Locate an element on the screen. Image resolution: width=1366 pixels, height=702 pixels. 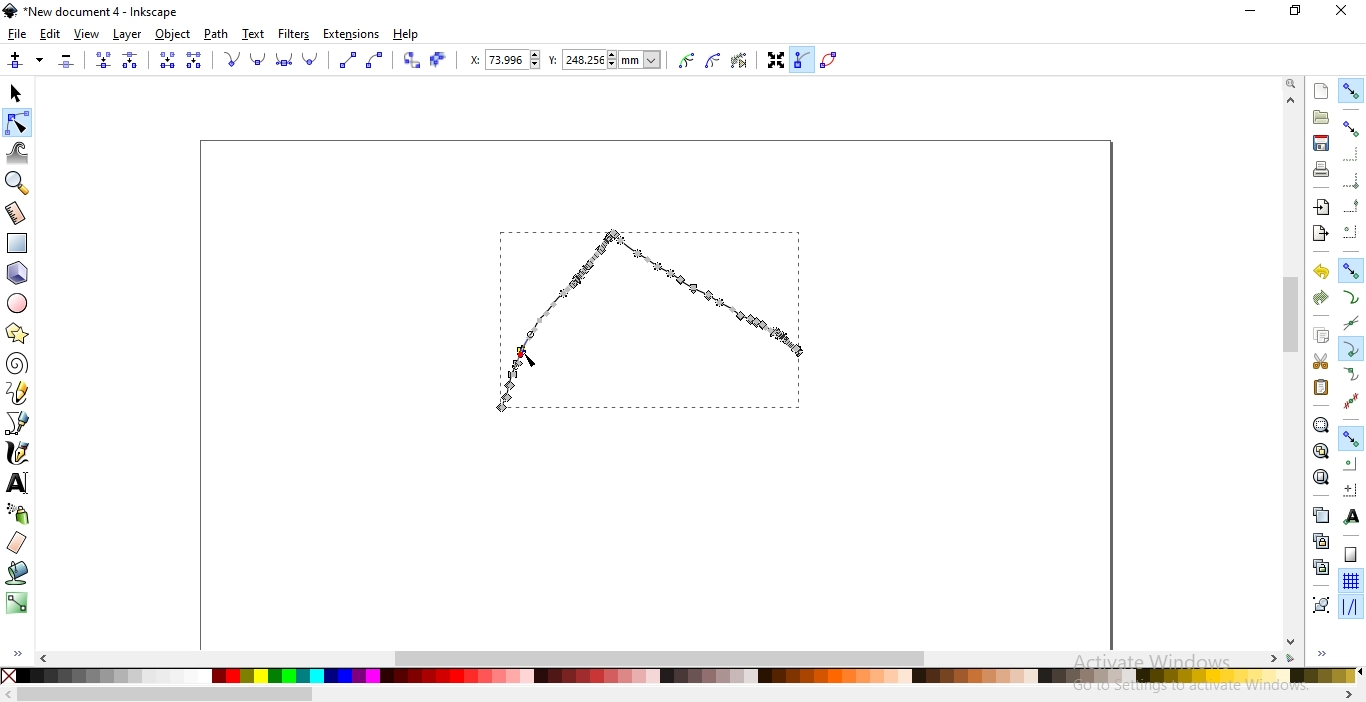
scrollbar is located at coordinates (166, 696).